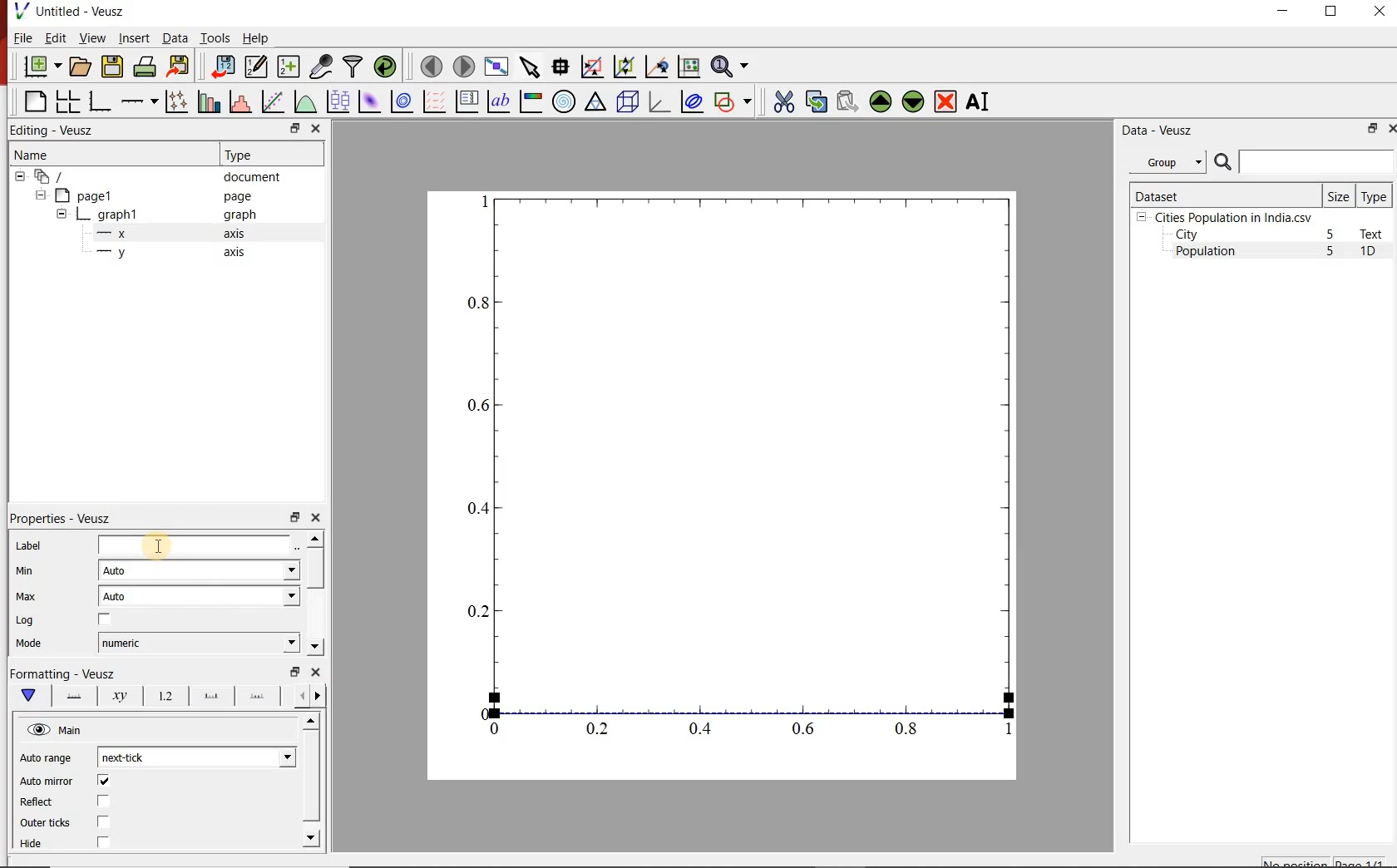  I want to click on Axis Label, so click(116, 699).